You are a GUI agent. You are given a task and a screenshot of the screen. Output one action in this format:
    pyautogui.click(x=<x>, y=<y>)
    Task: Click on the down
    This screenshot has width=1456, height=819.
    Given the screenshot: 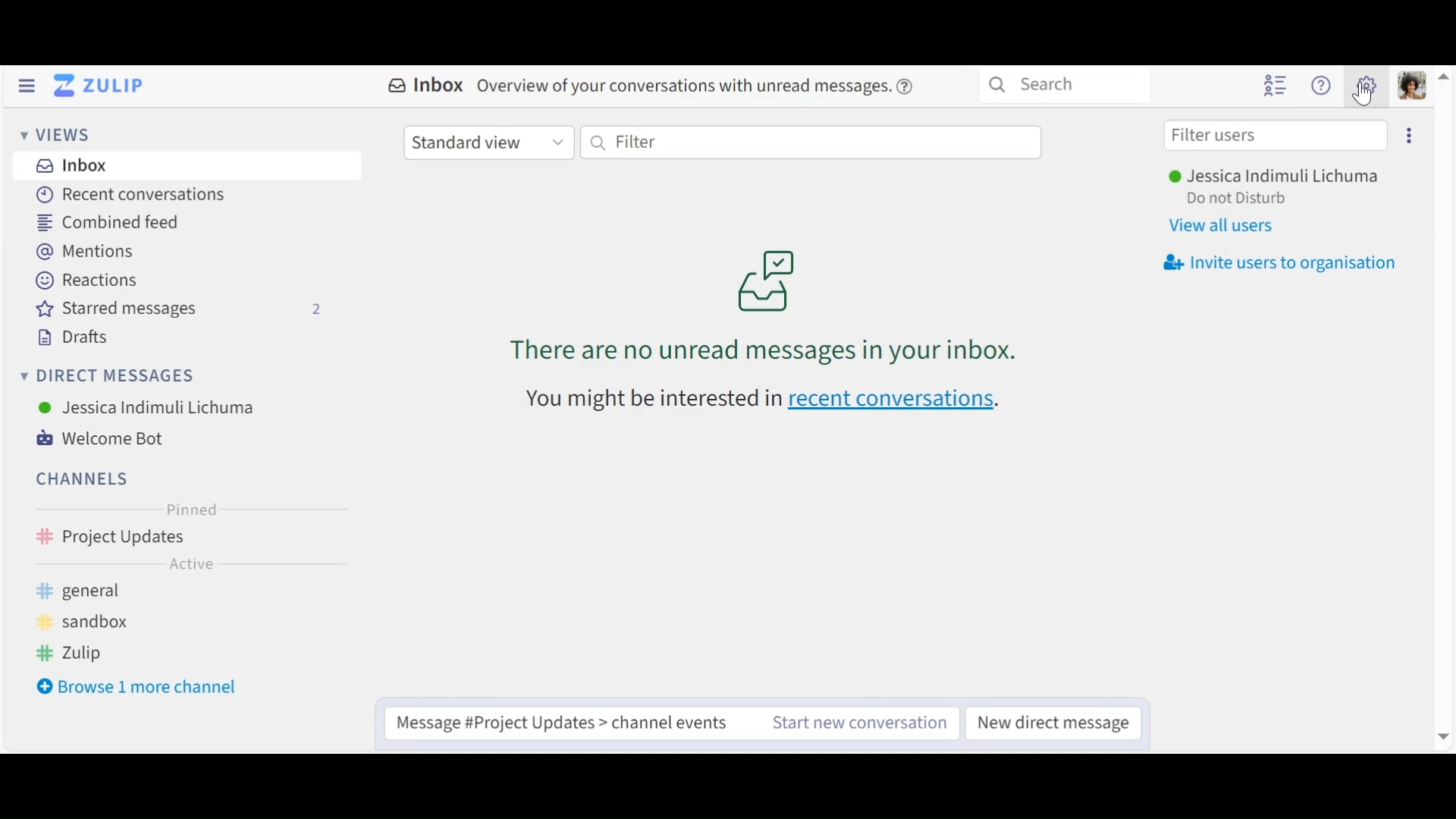 What is the action you would take?
    pyautogui.click(x=1442, y=736)
    